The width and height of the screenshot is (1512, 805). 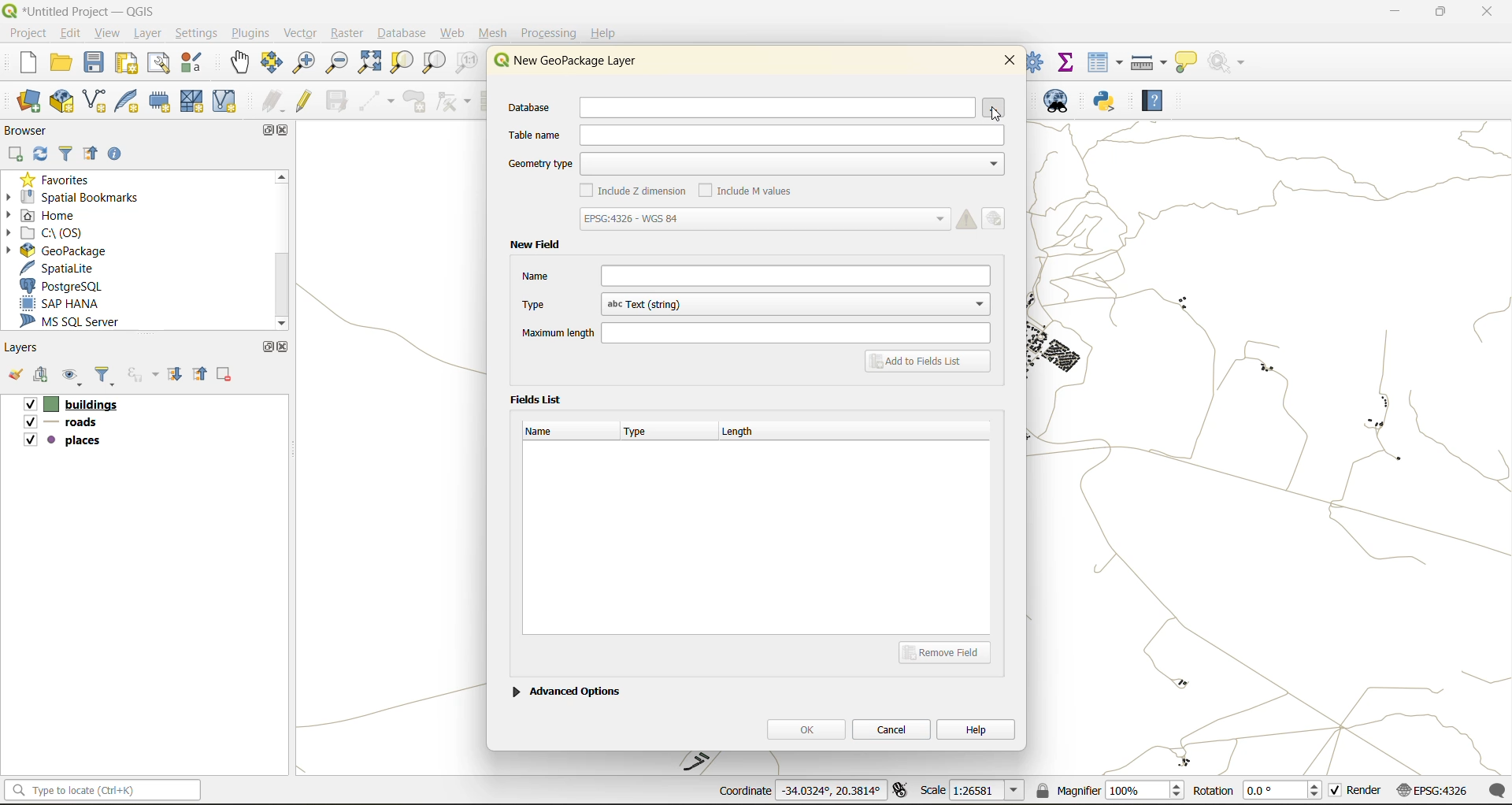 What do you see at coordinates (72, 32) in the screenshot?
I see `edit` at bounding box center [72, 32].